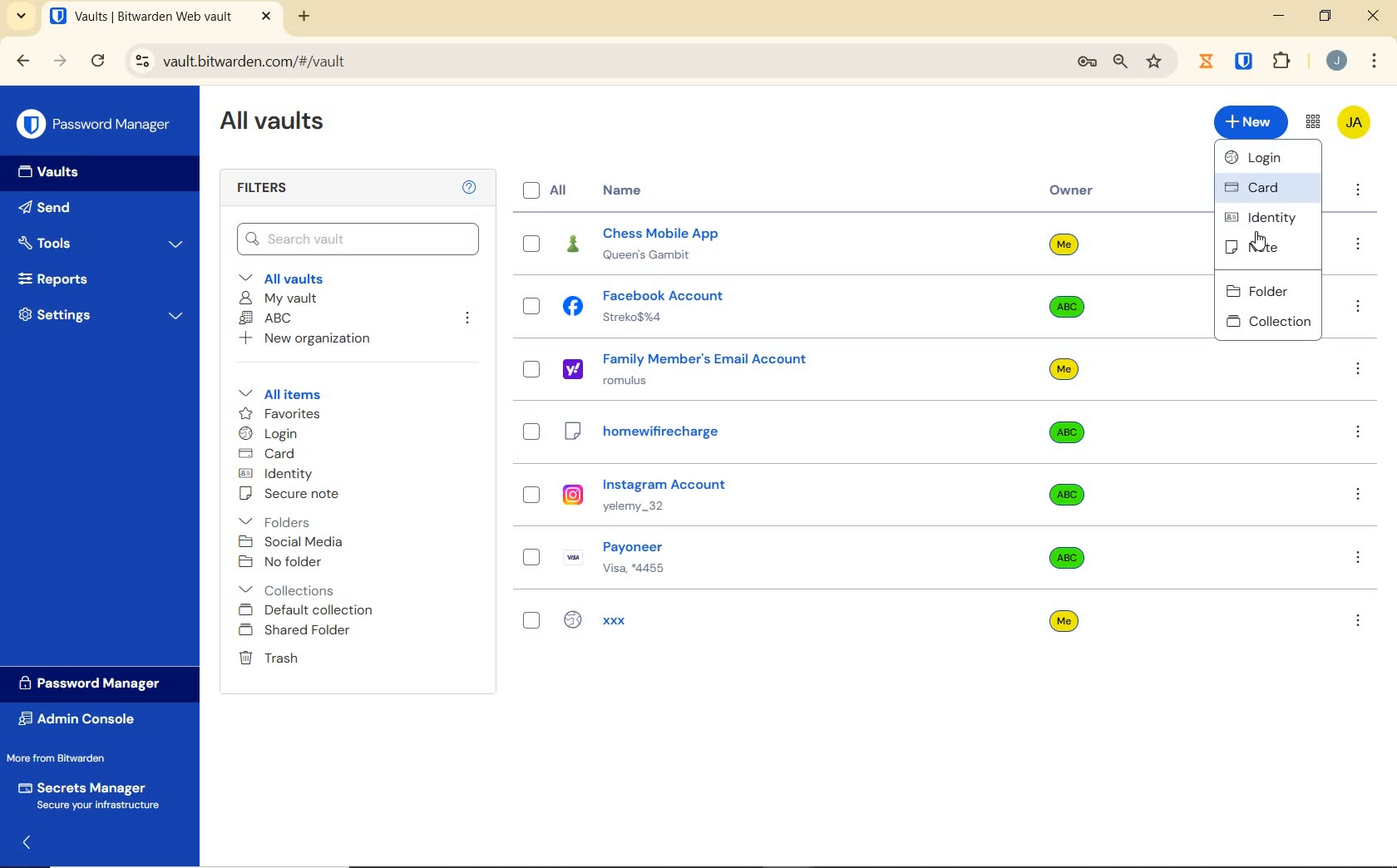 The image size is (1397, 868). I want to click on open tab, so click(141, 17).